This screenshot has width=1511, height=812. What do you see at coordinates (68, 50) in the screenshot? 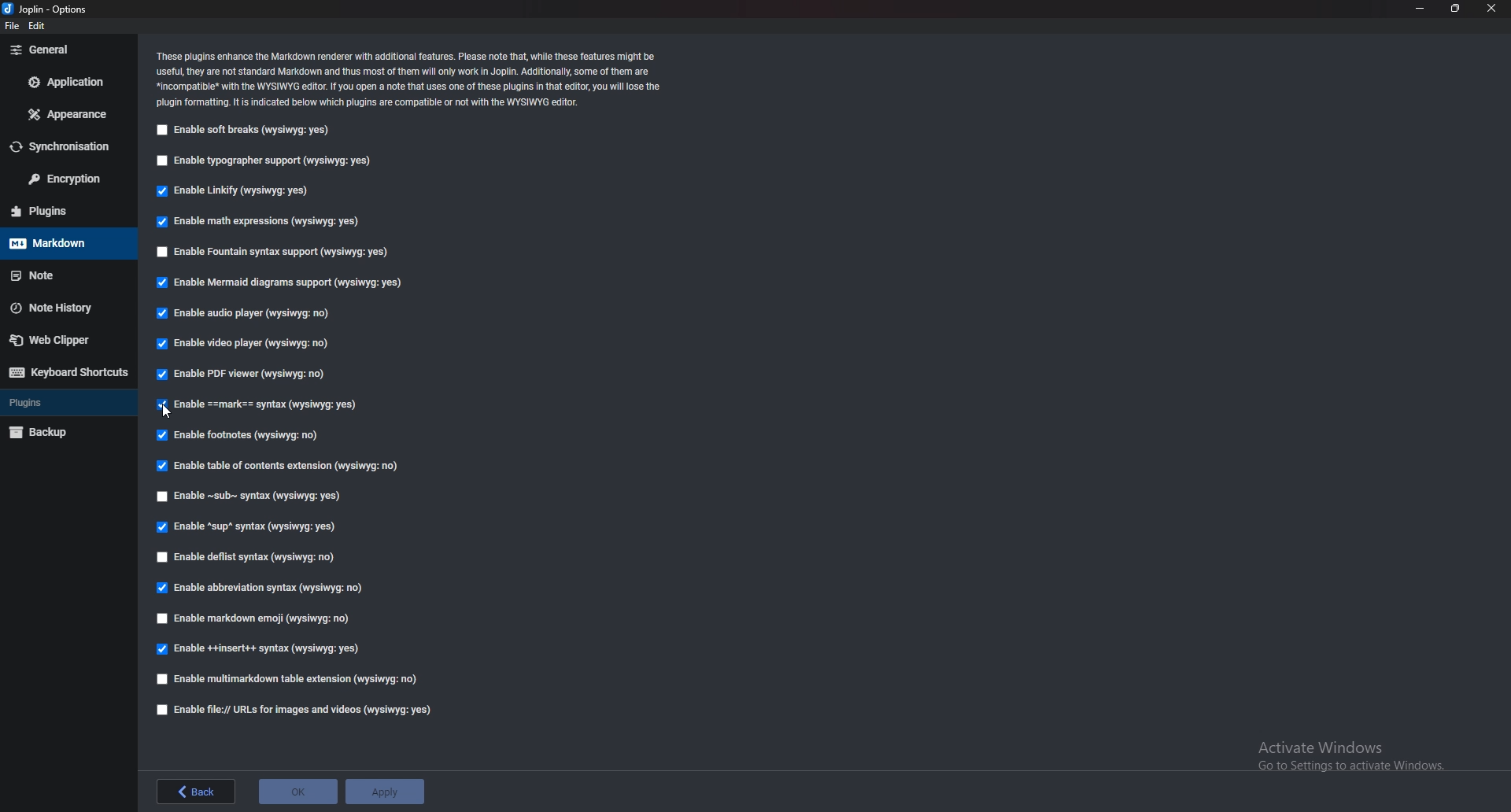
I see `General` at bounding box center [68, 50].